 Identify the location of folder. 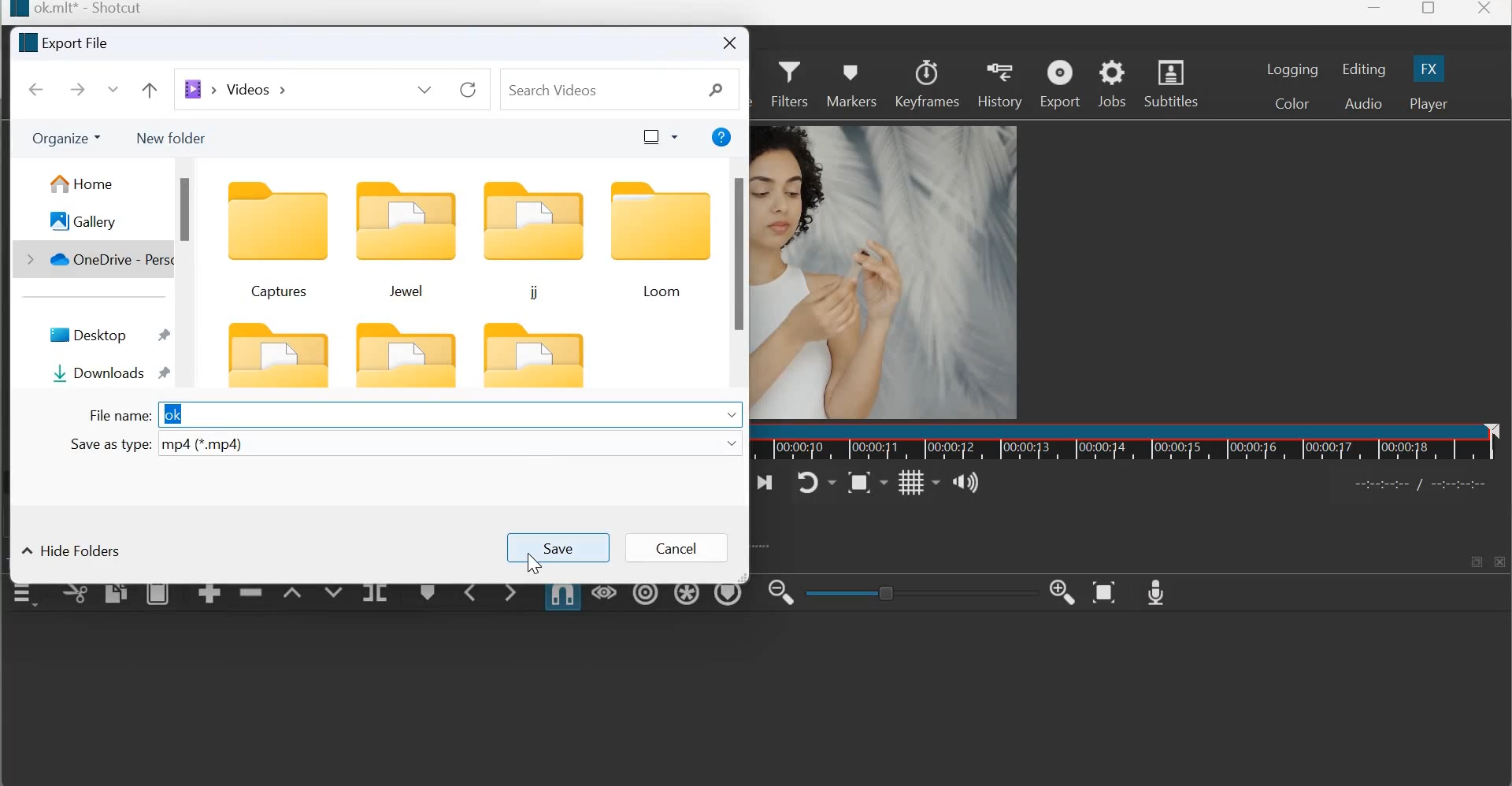
(539, 359).